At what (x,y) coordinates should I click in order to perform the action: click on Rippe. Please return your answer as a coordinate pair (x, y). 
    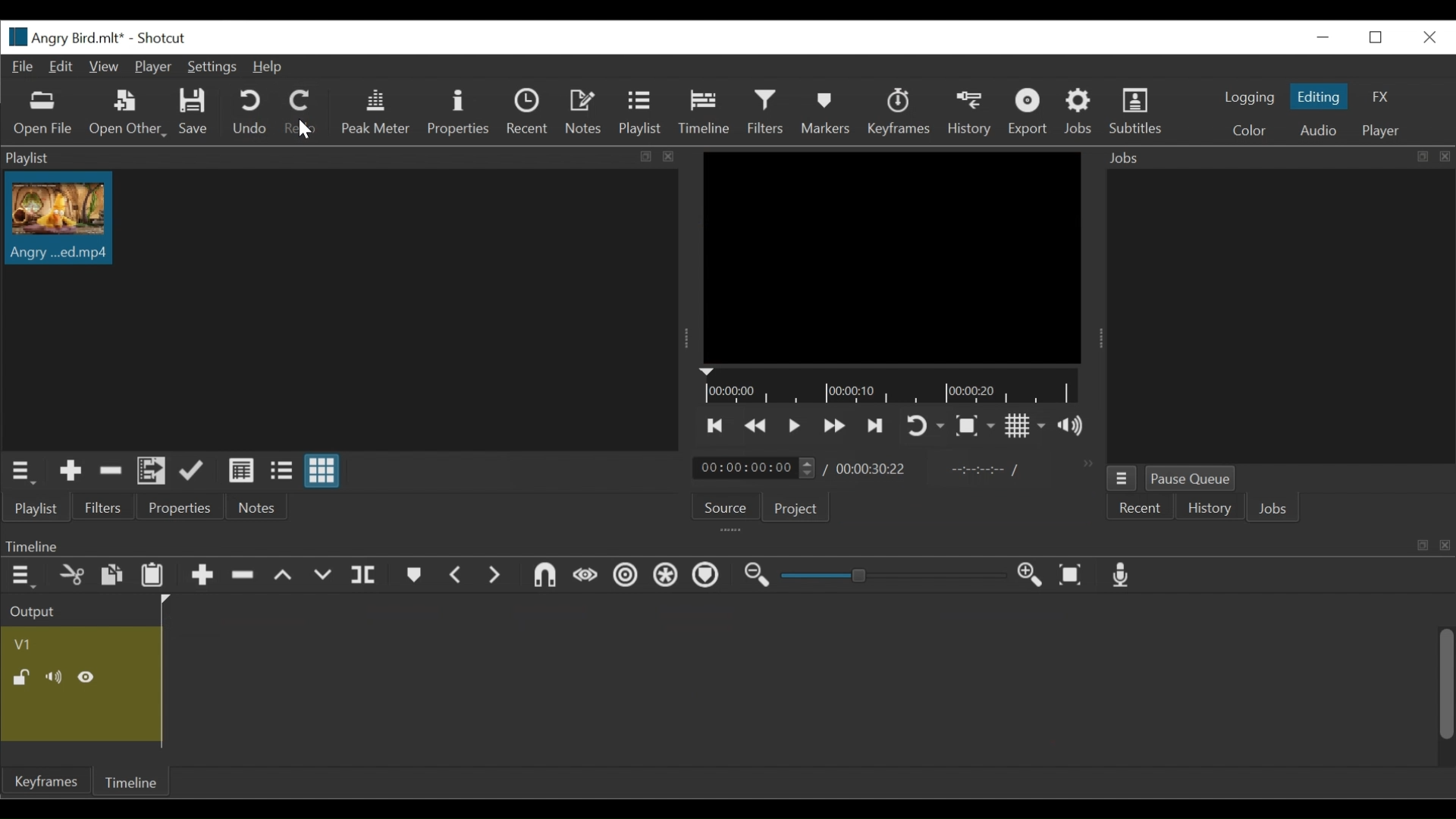
    Looking at the image, I should click on (625, 577).